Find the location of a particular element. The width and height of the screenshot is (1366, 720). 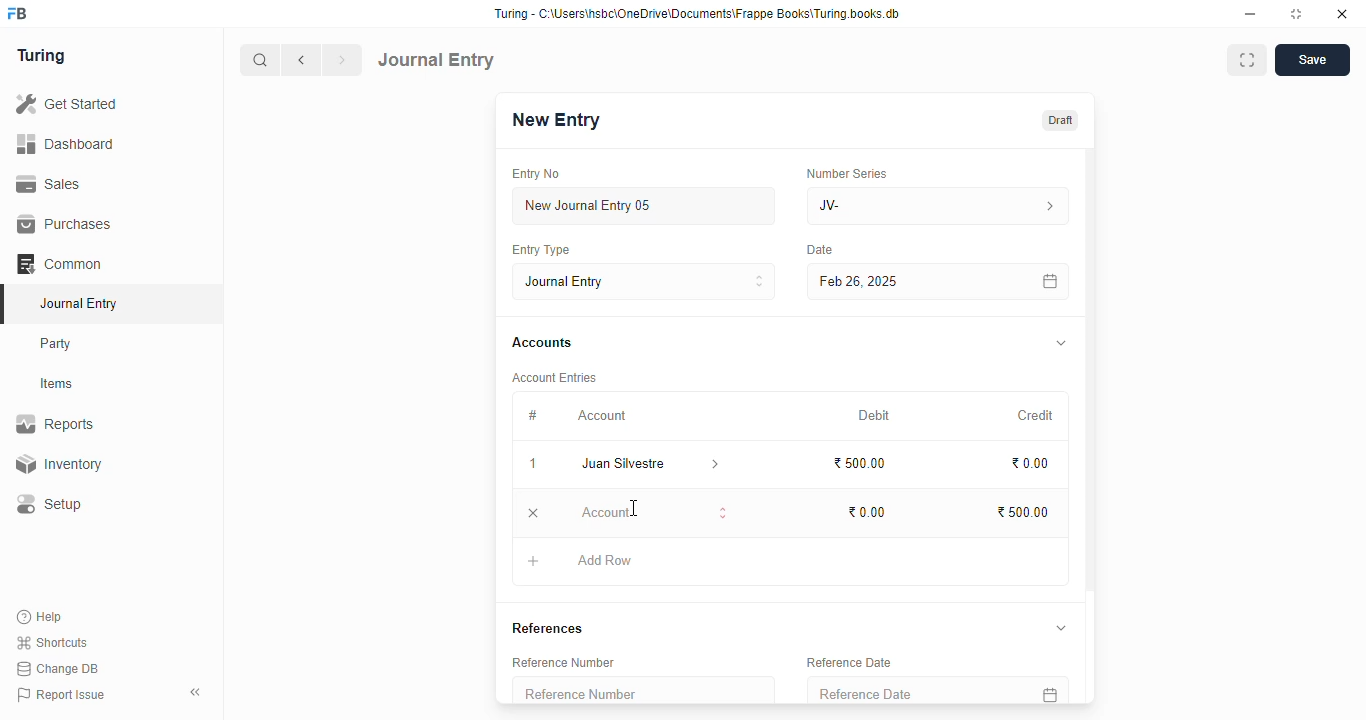

₹500.00 is located at coordinates (859, 463).